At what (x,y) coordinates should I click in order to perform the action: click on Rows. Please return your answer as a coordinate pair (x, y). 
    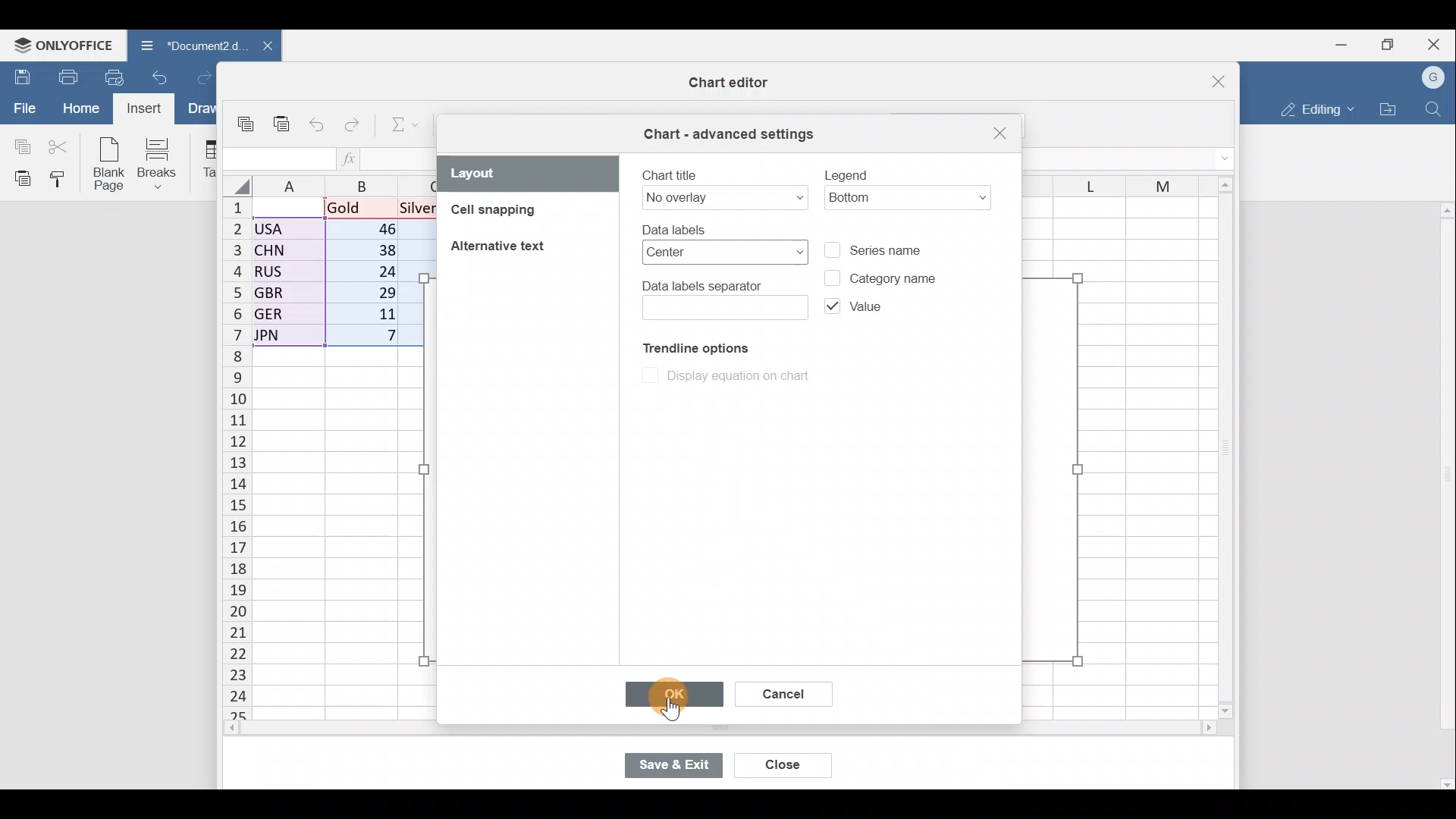
    Looking at the image, I should click on (237, 449).